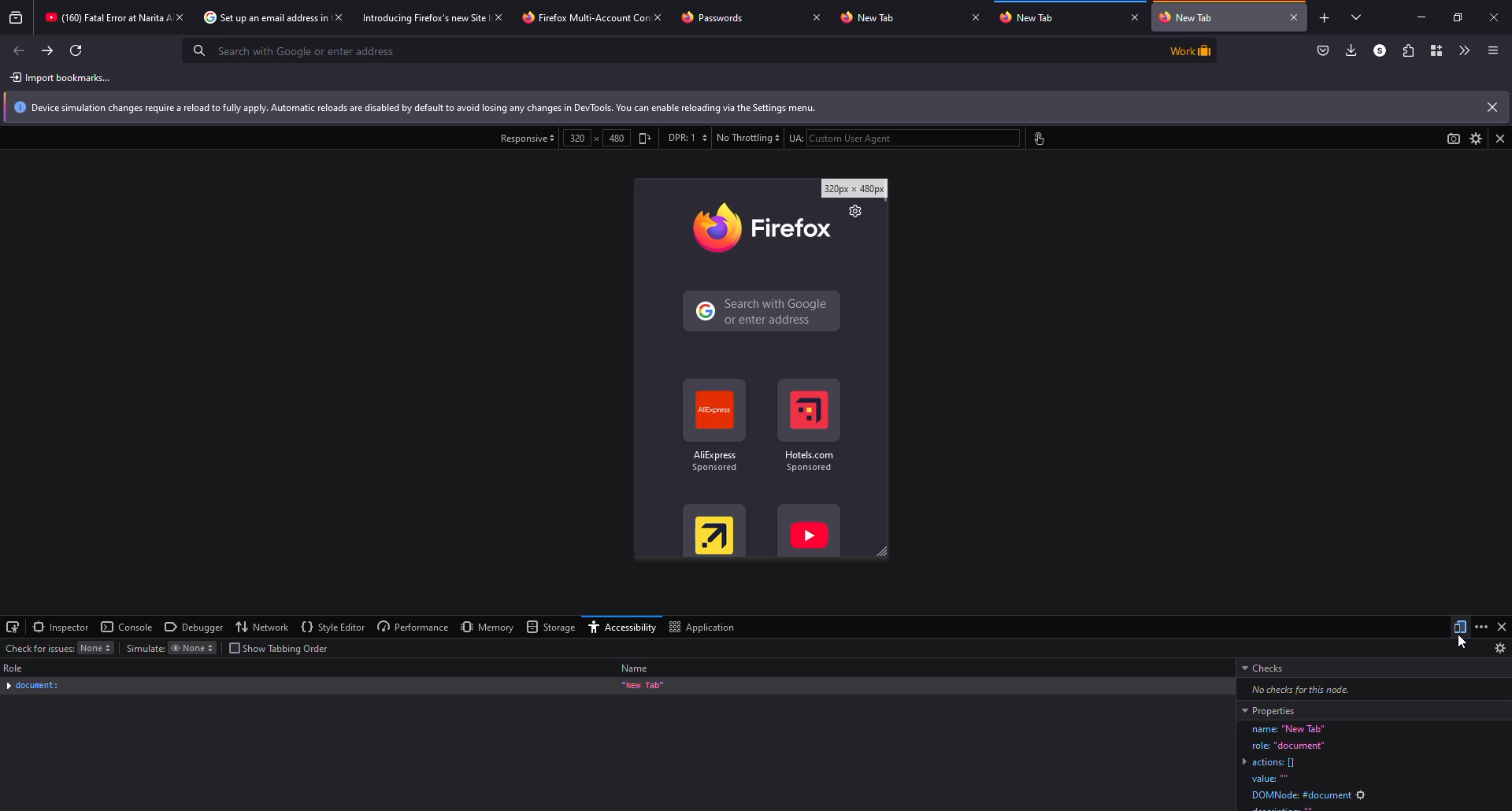 The height and width of the screenshot is (811, 1512). Describe the element at coordinates (1323, 19) in the screenshot. I see `add` at that location.